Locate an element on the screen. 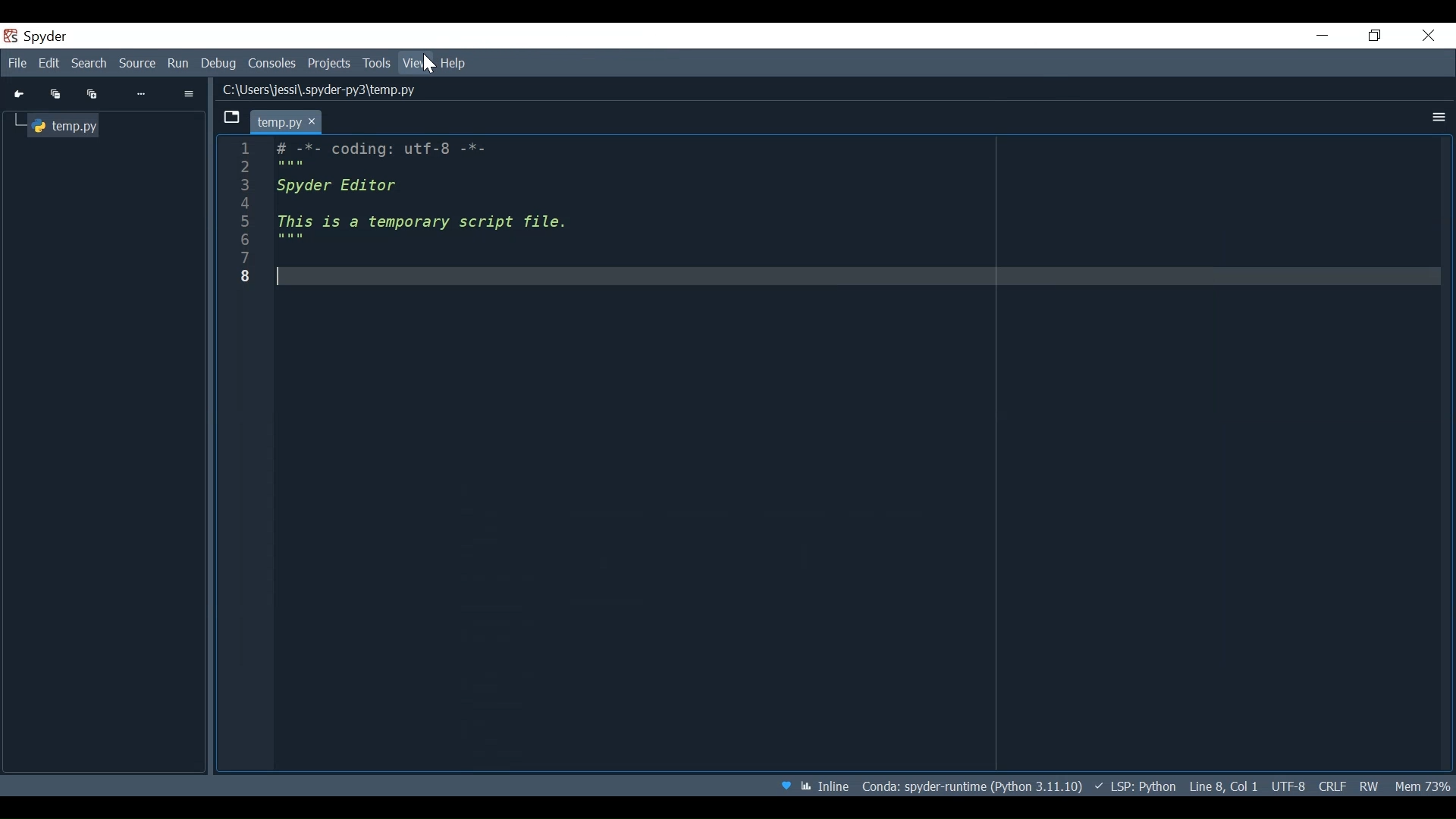  Go to cursor position is located at coordinates (20, 93).